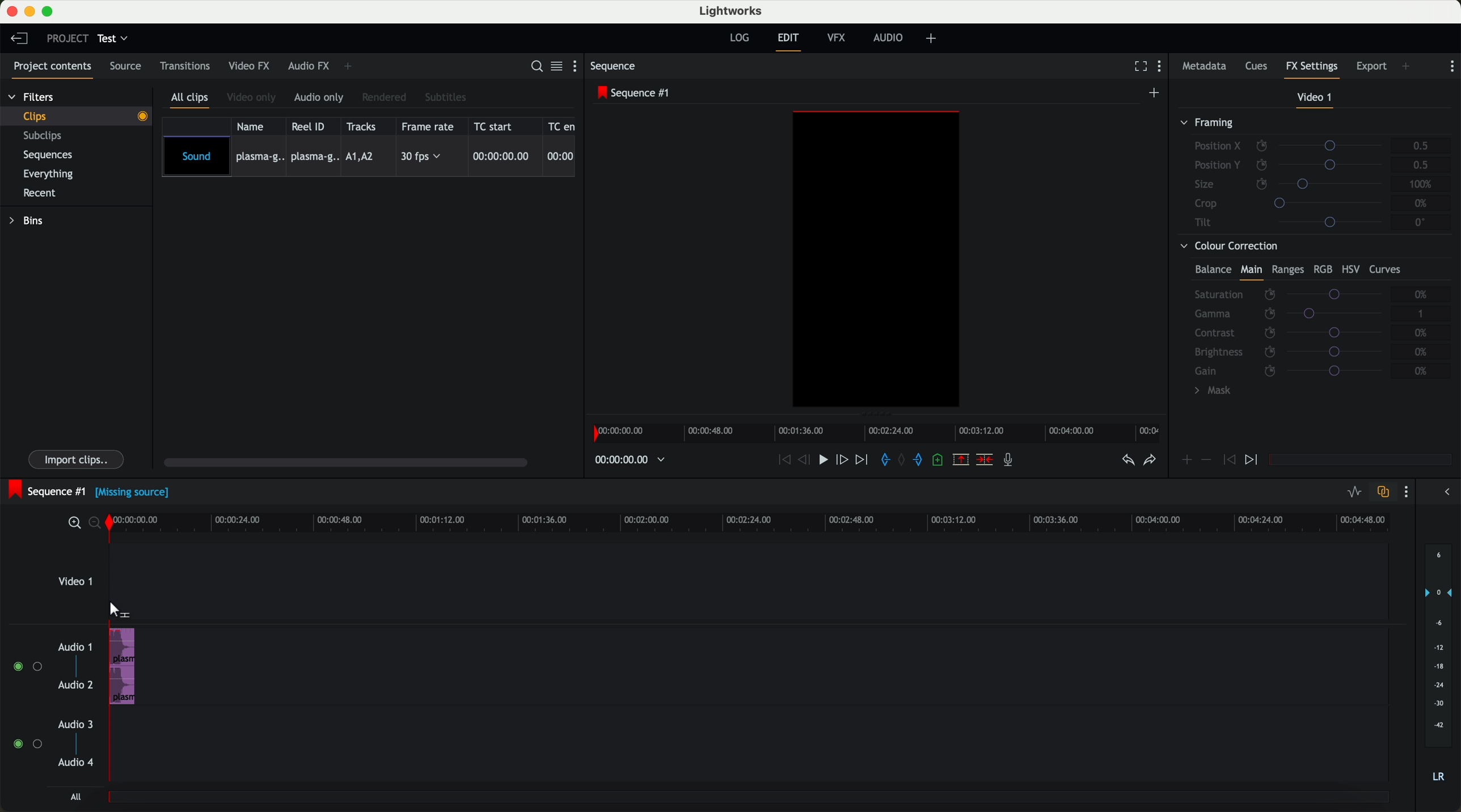  What do you see at coordinates (447, 97) in the screenshot?
I see `subtitles` at bounding box center [447, 97].